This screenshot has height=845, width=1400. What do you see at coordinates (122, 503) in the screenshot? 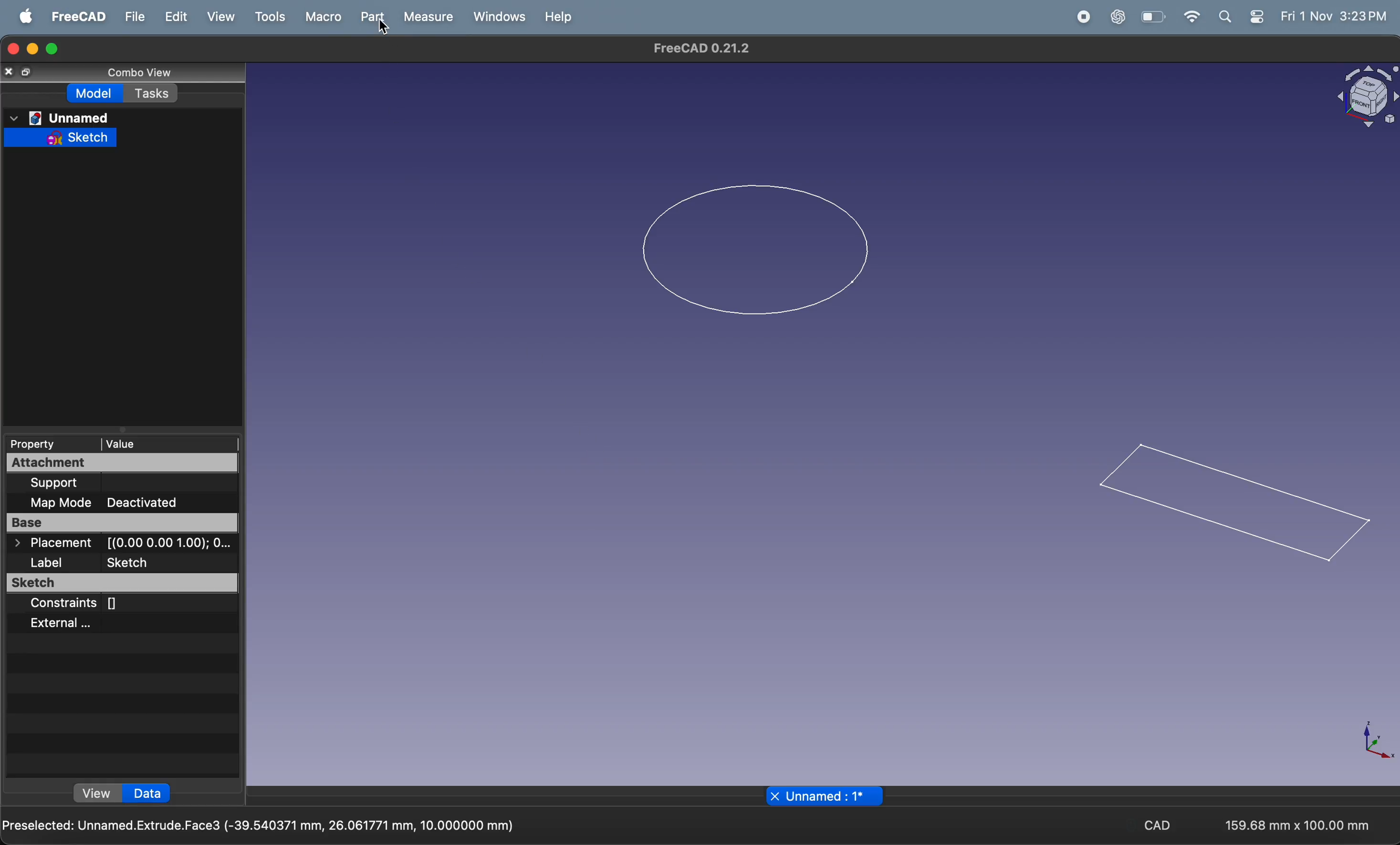
I see `Map Mode Deactivated` at bounding box center [122, 503].